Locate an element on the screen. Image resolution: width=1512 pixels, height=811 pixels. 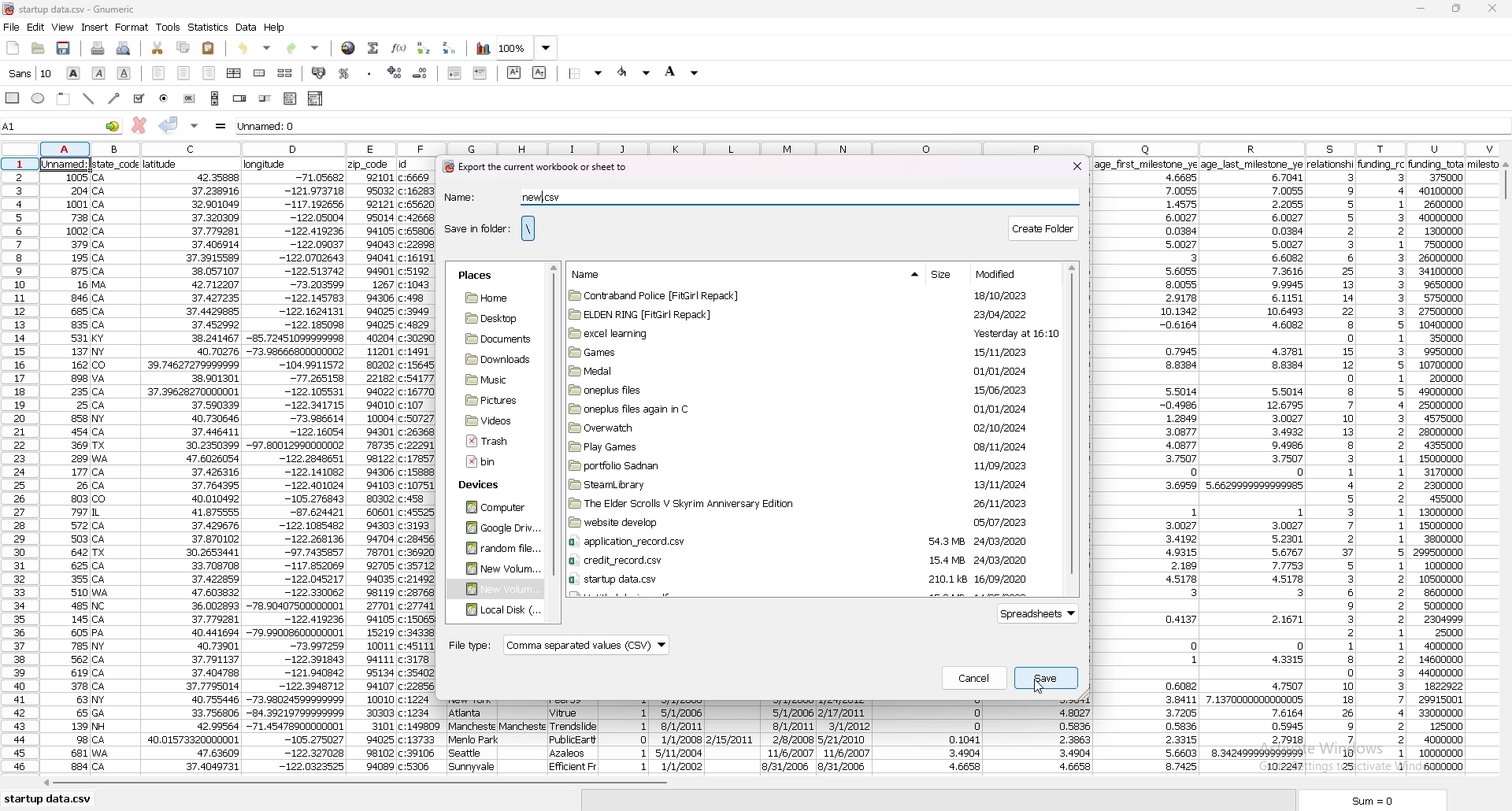
subscript is located at coordinates (539, 72).